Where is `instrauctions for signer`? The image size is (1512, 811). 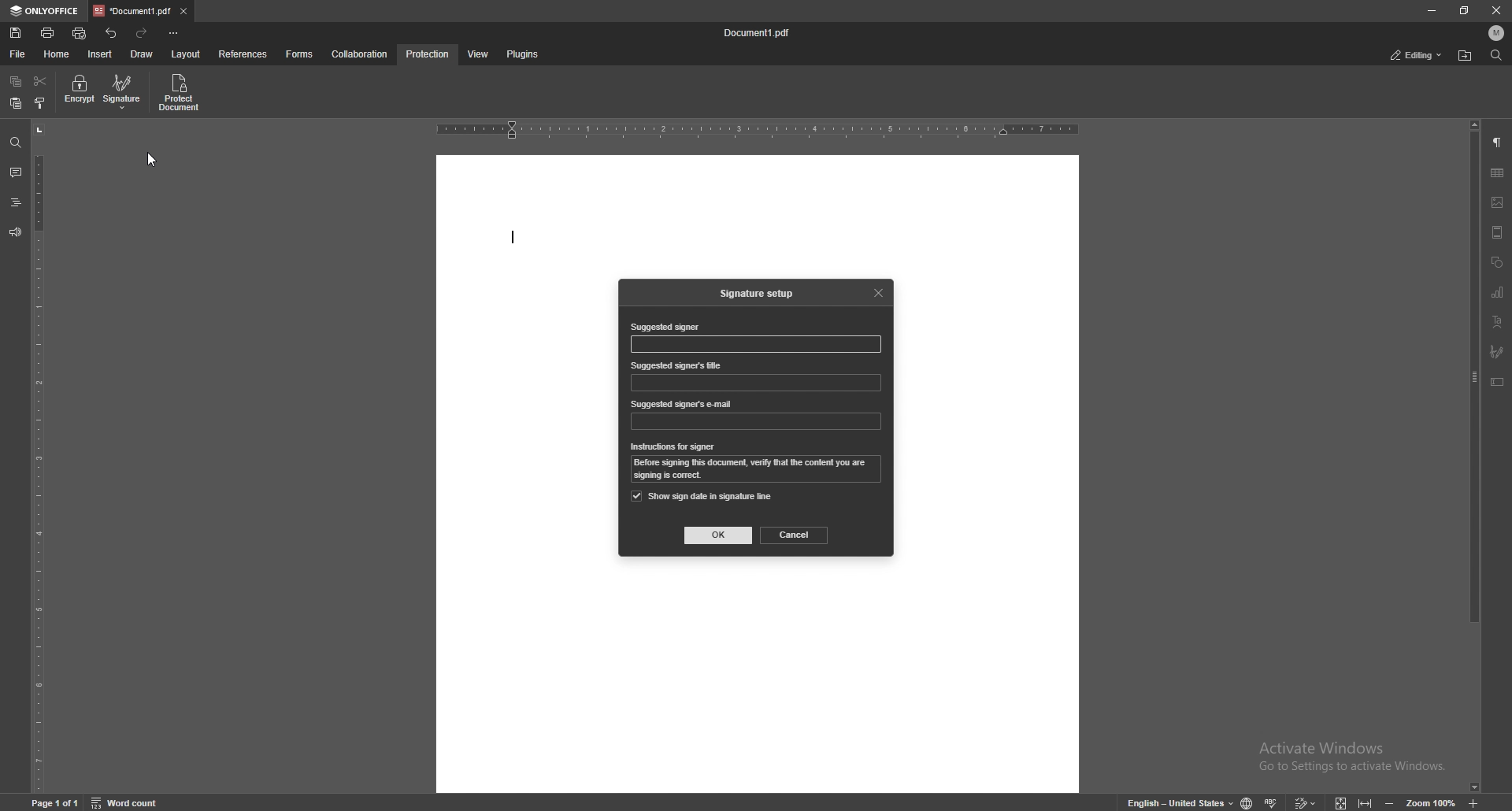
instrauctions for signer is located at coordinates (673, 447).